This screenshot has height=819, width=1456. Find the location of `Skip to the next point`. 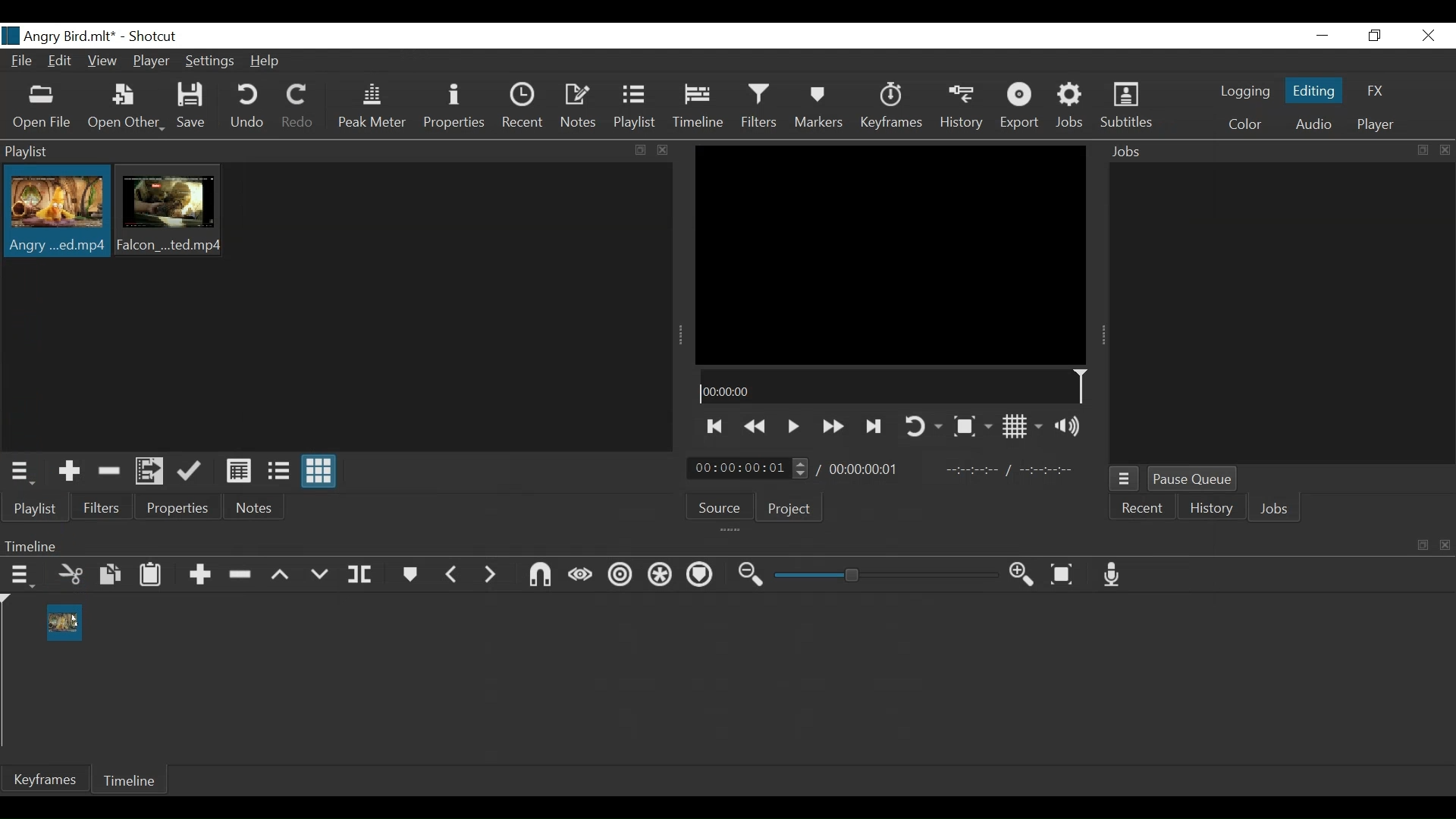

Skip to the next point is located at coordinates (715, 427).